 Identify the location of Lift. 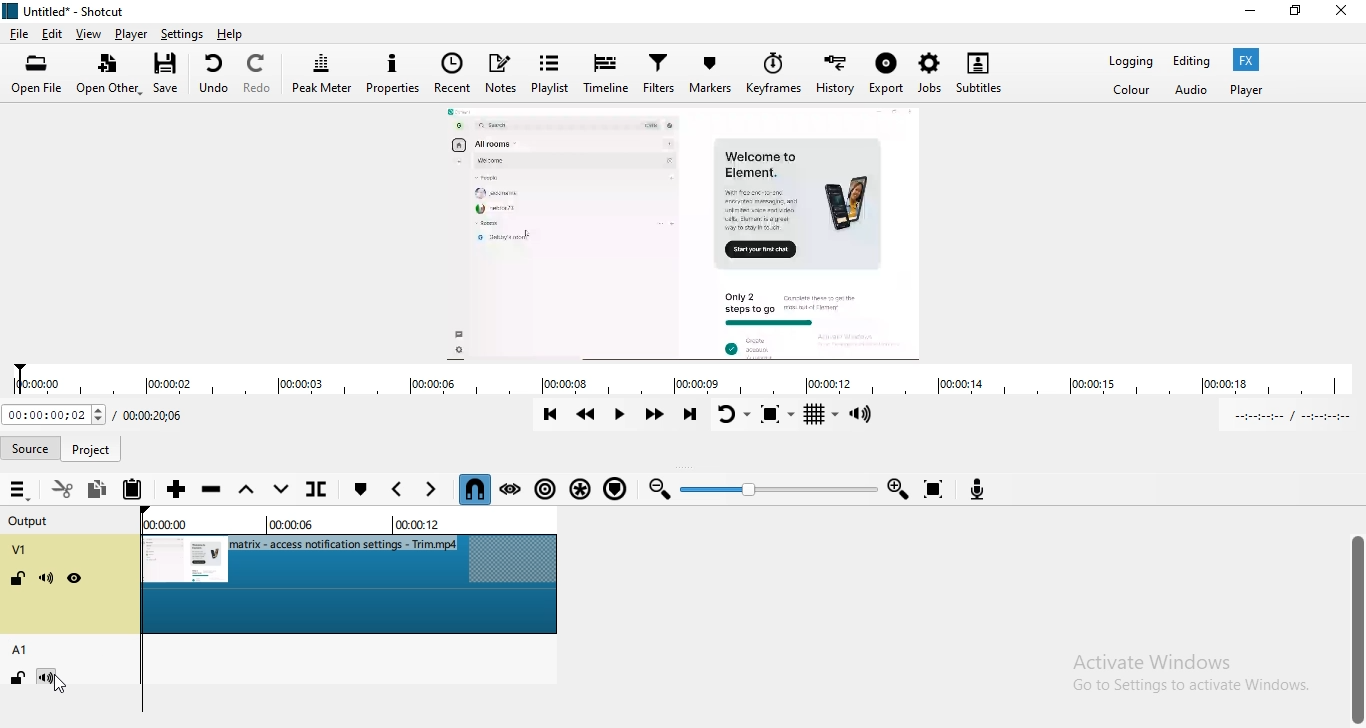
(246, 490).